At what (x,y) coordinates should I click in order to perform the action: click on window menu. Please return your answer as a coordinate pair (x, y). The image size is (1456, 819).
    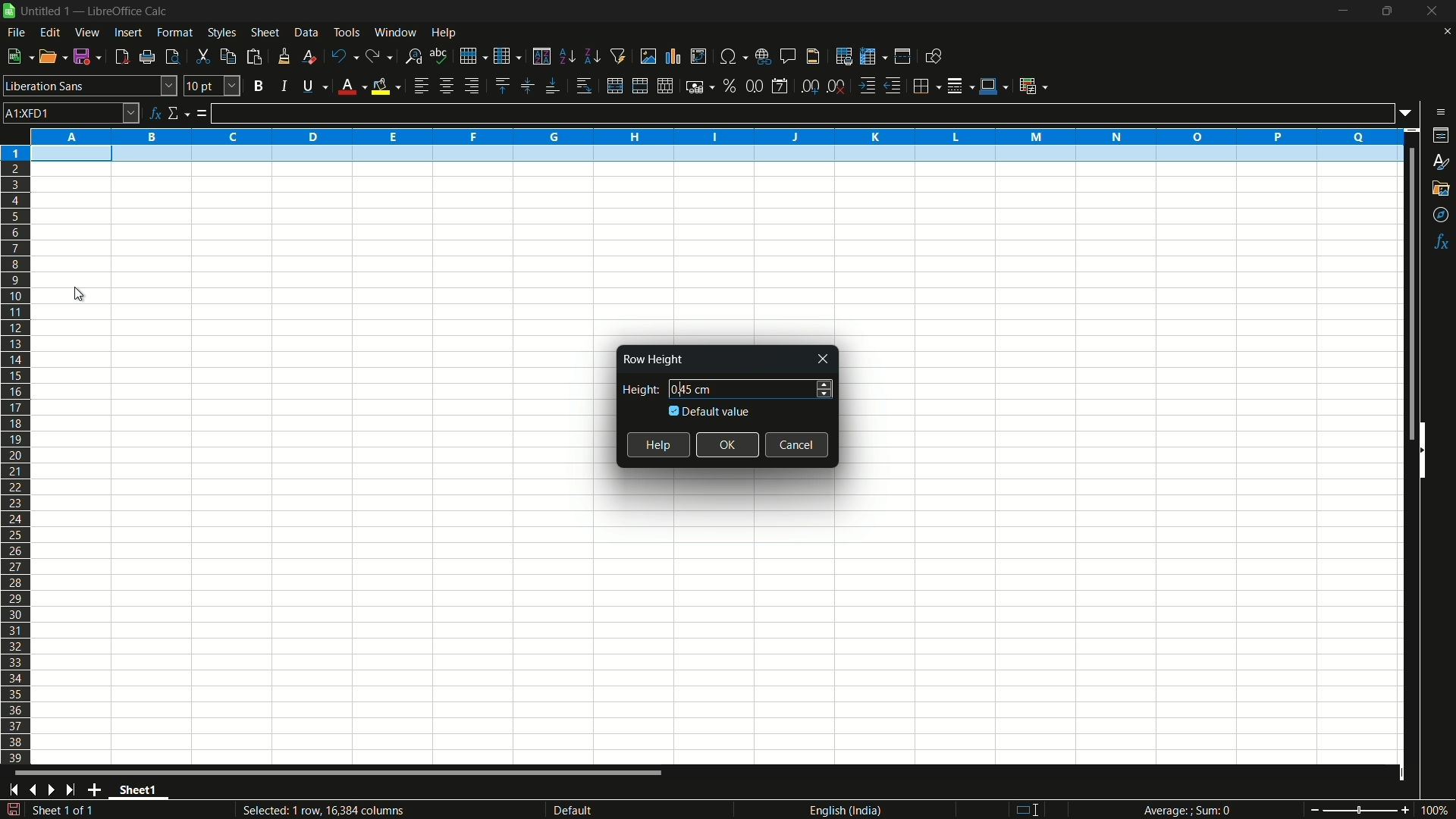
    Looking at the image, I should click on (395, 32).